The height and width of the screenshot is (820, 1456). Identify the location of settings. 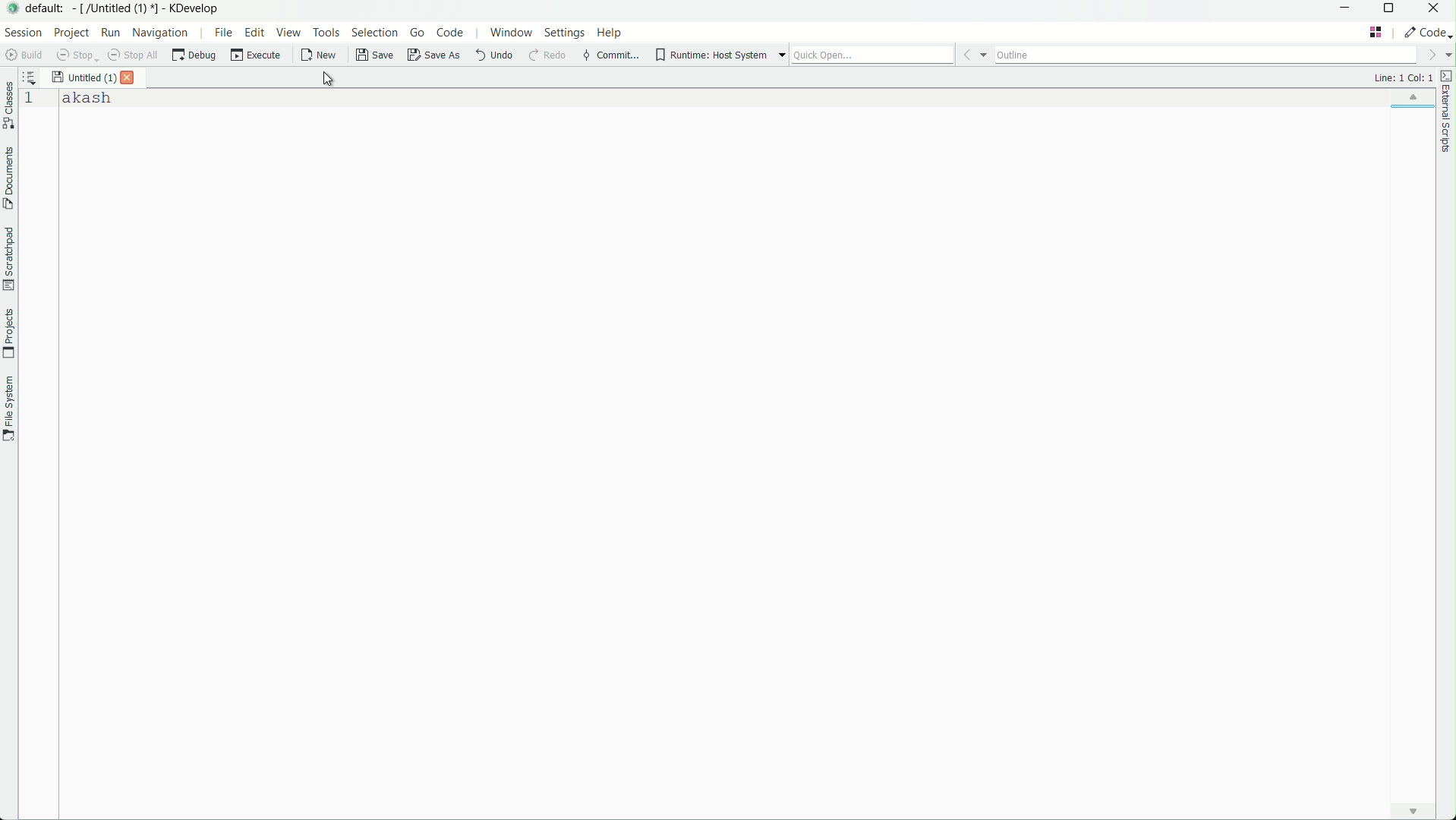
(565, 32).